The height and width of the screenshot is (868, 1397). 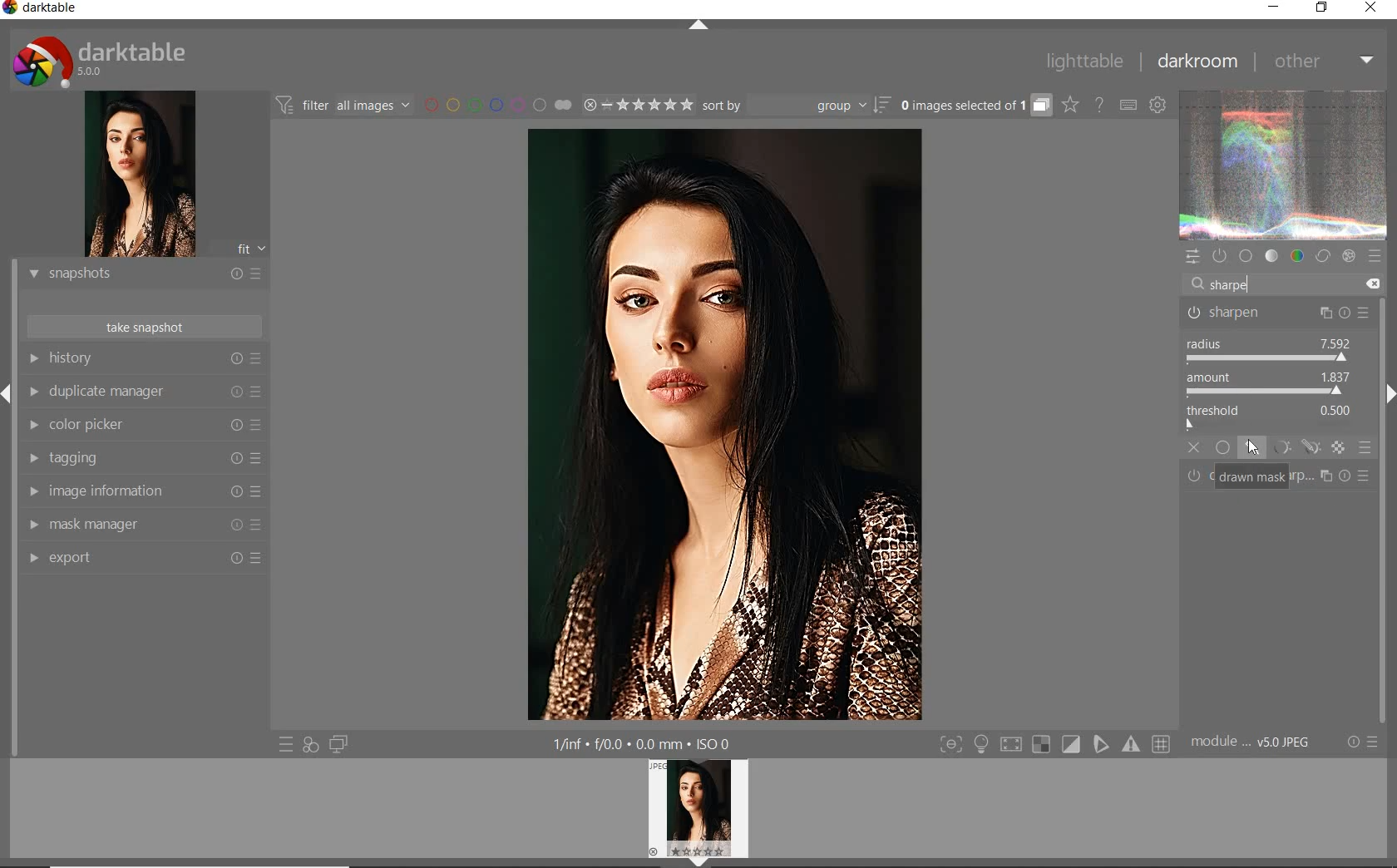 What do you see at coordinates (696, 26) in the screenshot?
I see `EXPAND/COLLAPSE` at bounding box center [696, 26].